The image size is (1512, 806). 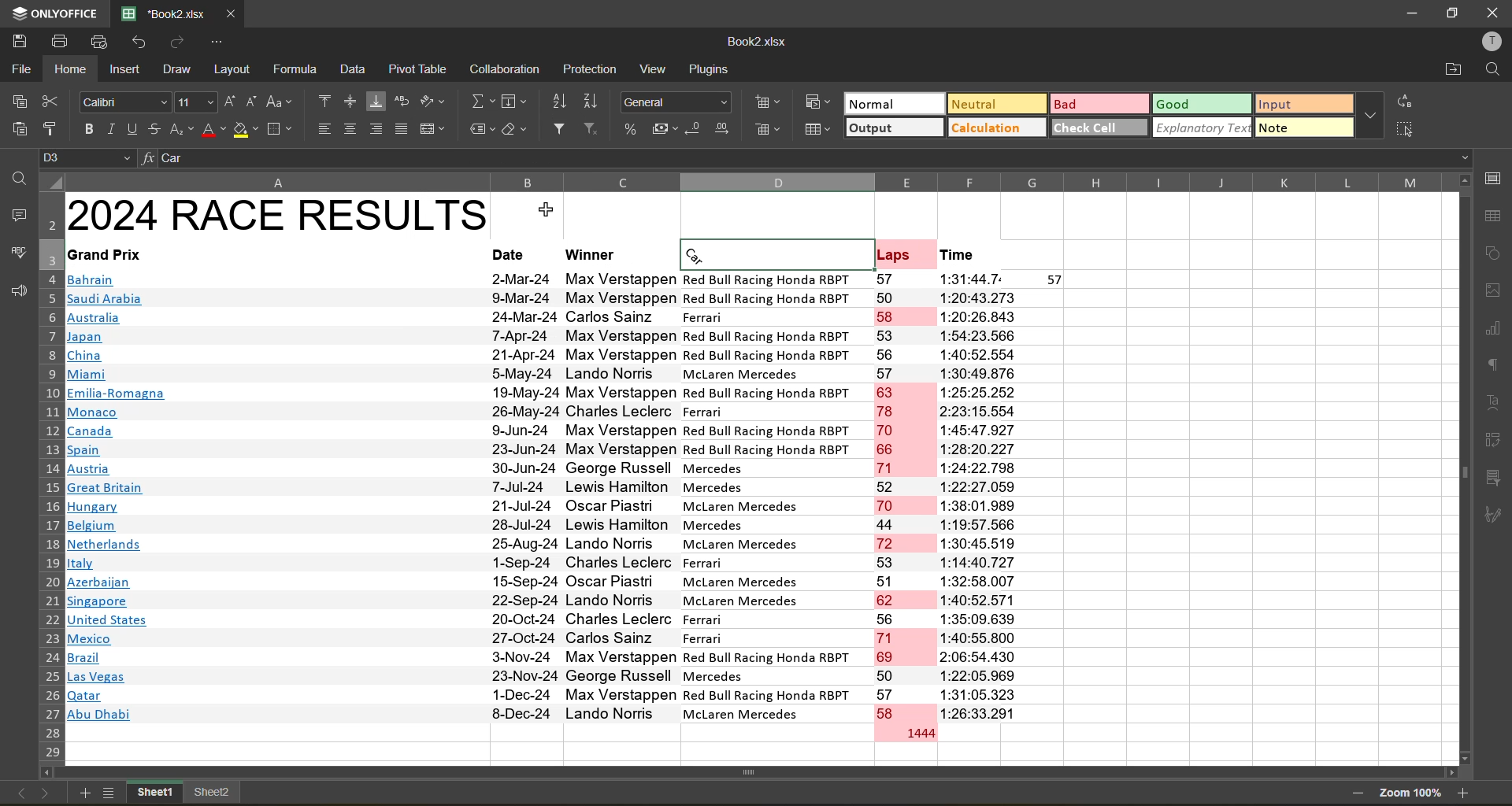 What do you see at coordinates (1273, 509) in the screenshot?
I see `Empty cells` at bounding box center [1273, 509].